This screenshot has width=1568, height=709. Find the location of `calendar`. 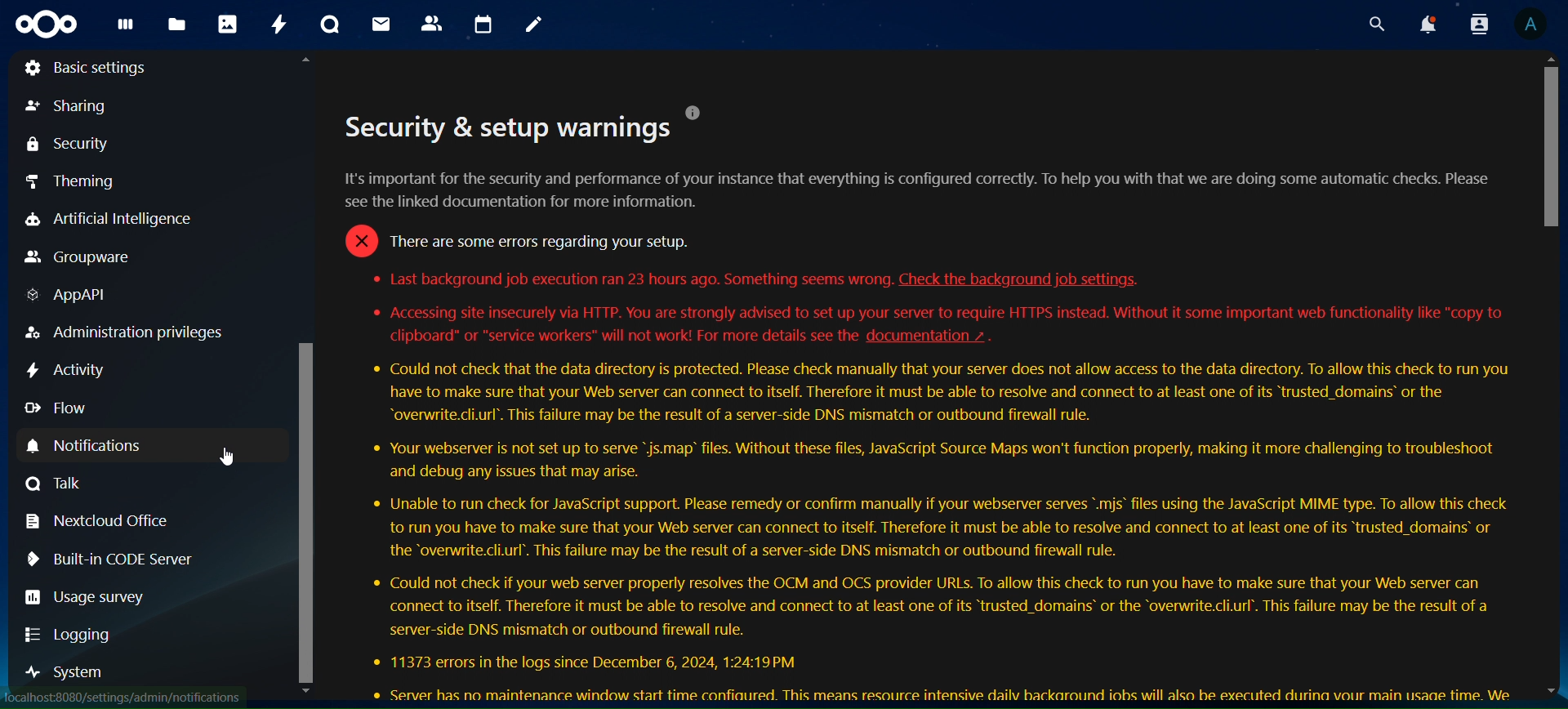

calendar is located at coordinates (481, 24).